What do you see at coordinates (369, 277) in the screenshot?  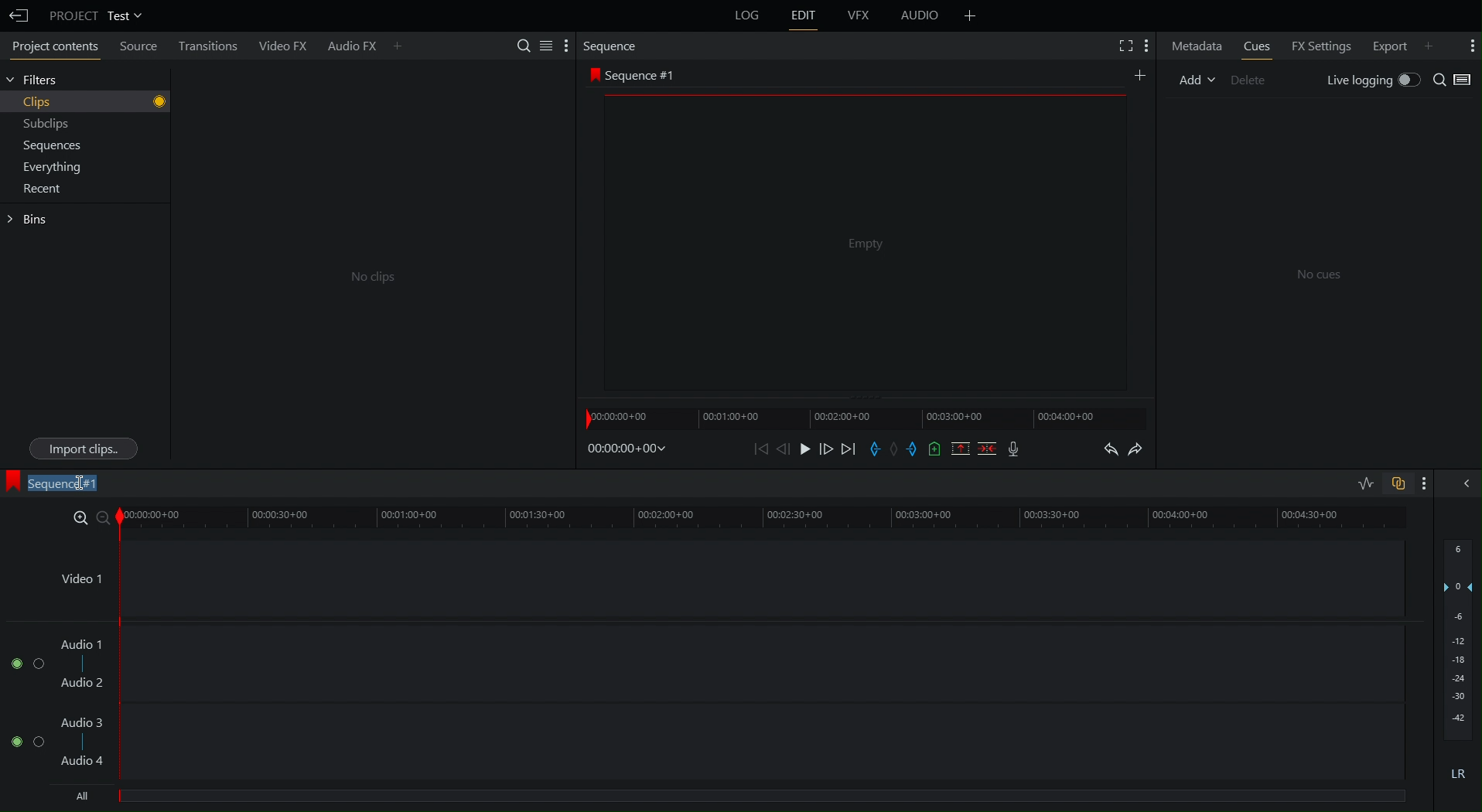 I see `Co Clips` at bounding box center [369, 277].